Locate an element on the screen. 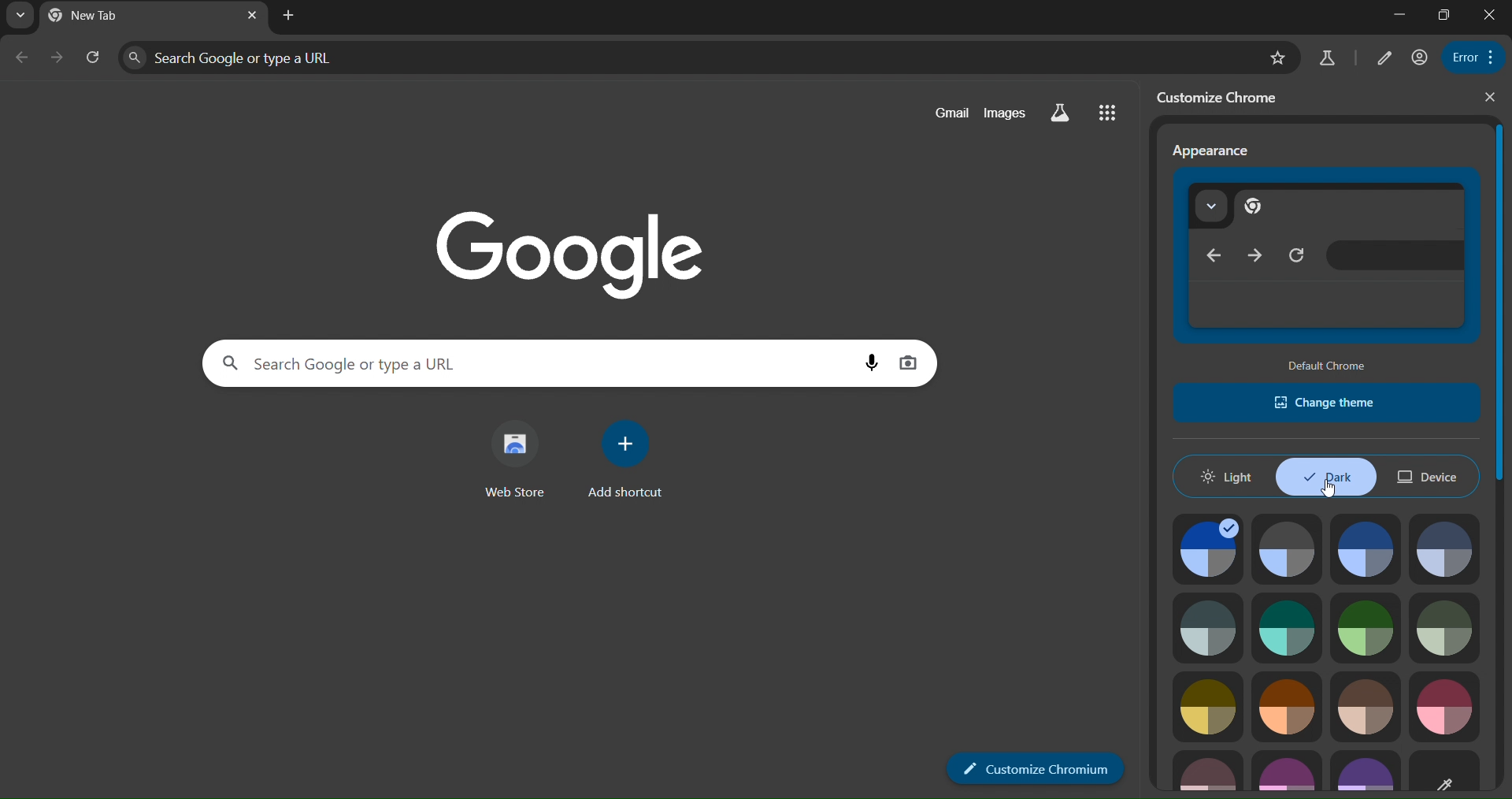 The height and width of the screenshot is (799, 1512). go forward one page is located at coordinates (60, 58).